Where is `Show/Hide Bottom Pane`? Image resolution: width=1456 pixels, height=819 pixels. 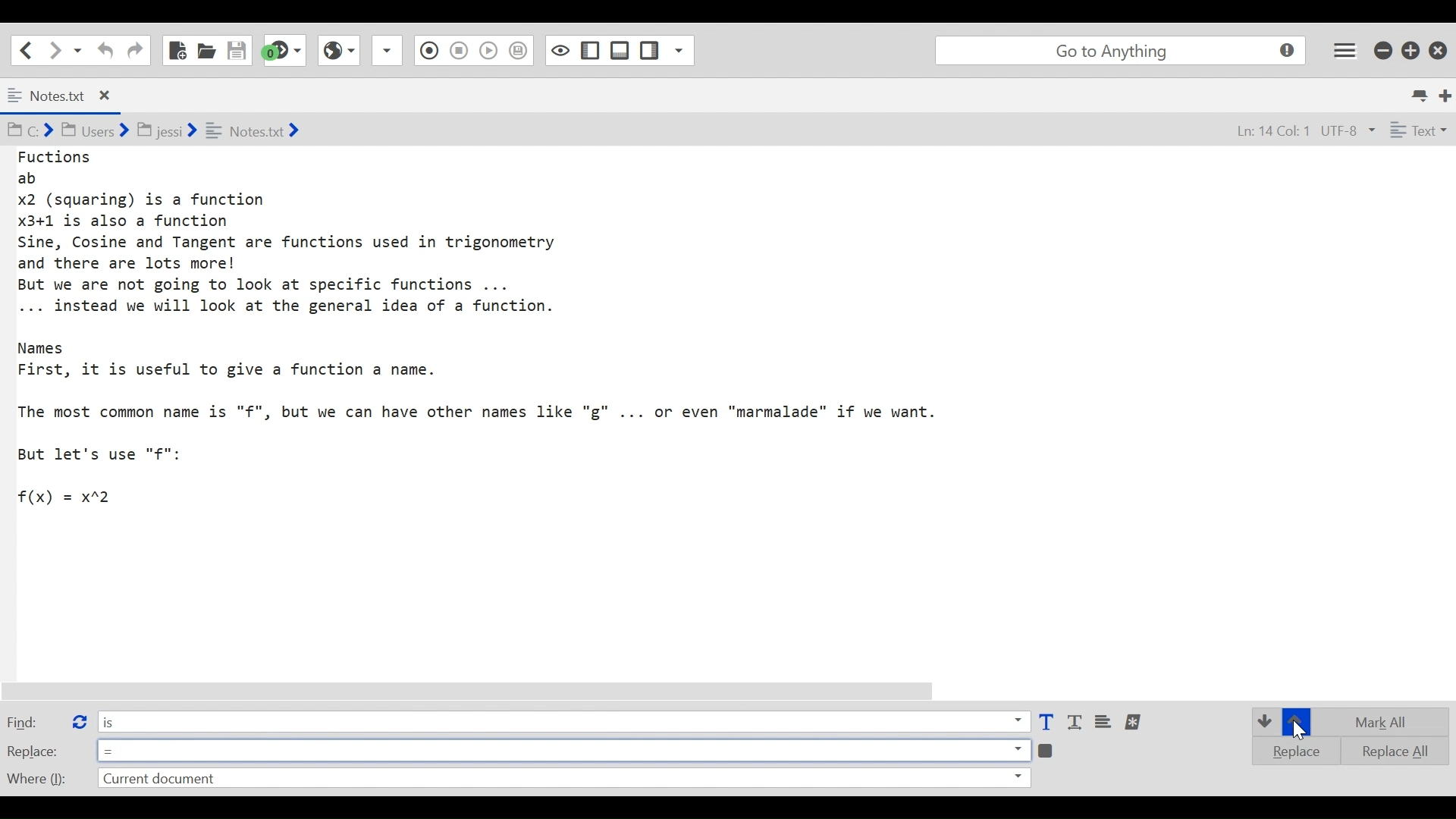 Show/Hide Bottom Pane is located at coordinates (591, 51).